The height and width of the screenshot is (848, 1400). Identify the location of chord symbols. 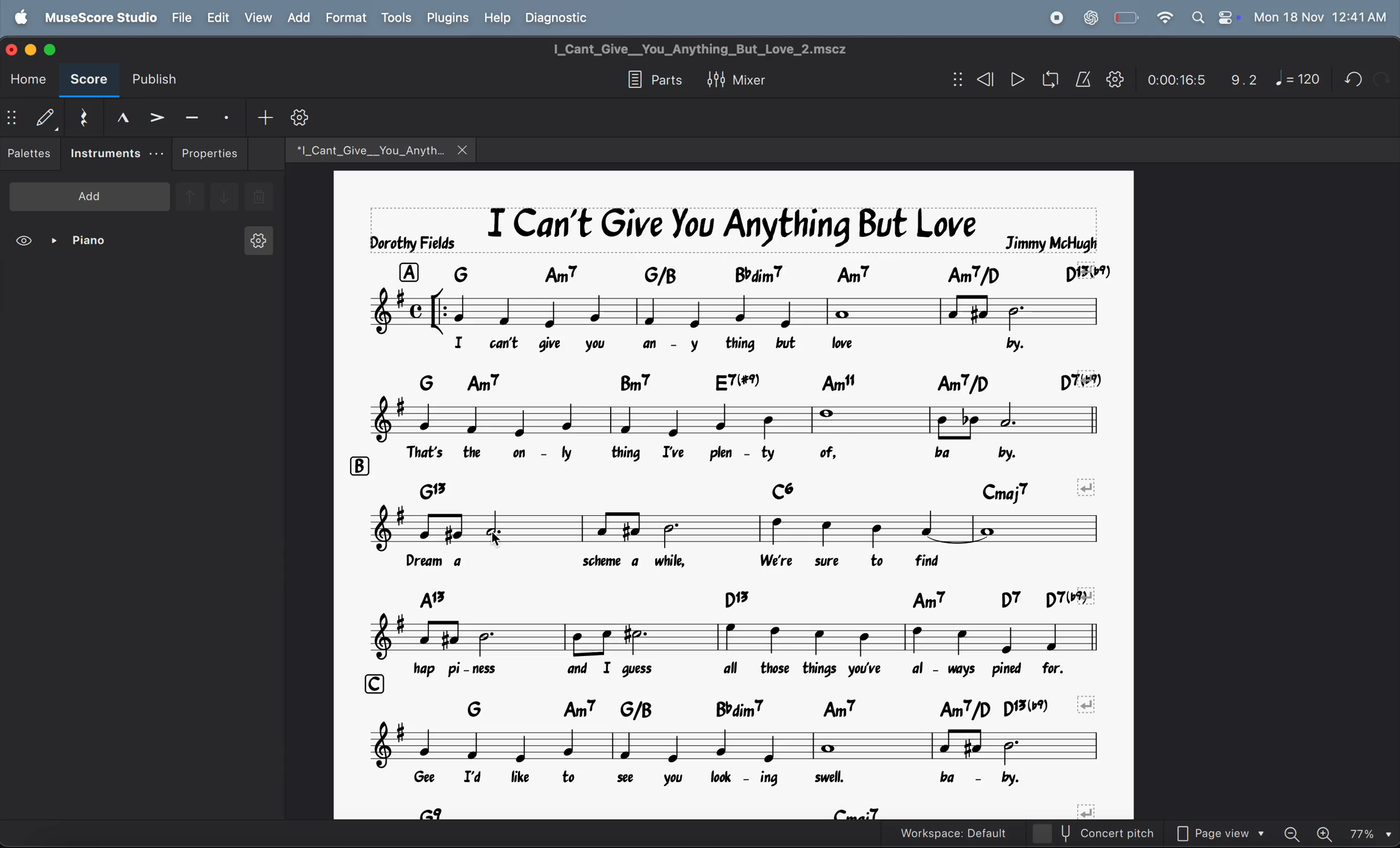
(772, 709).